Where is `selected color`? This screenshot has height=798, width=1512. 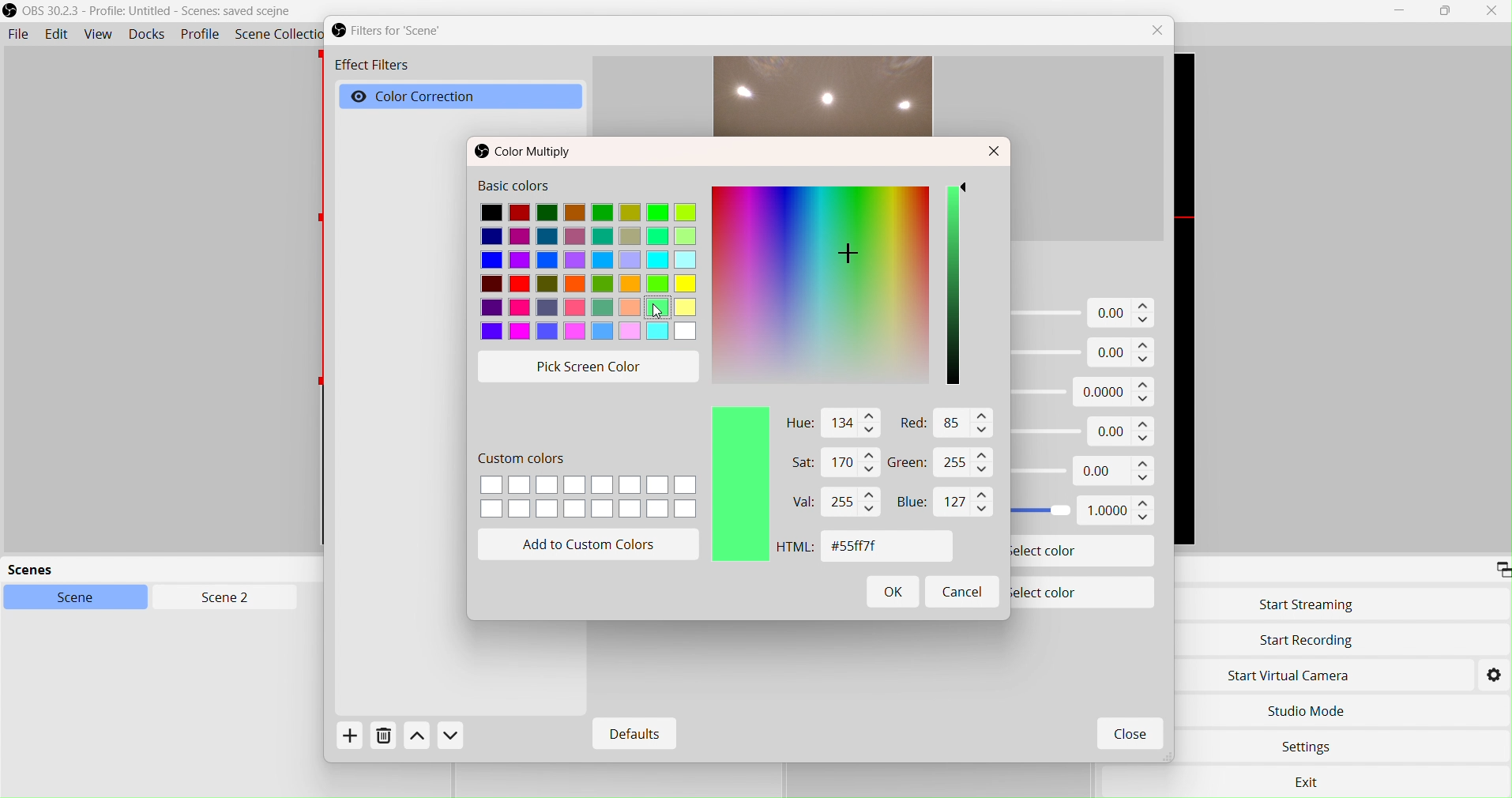 selected color is located at coordinates (738, 487).